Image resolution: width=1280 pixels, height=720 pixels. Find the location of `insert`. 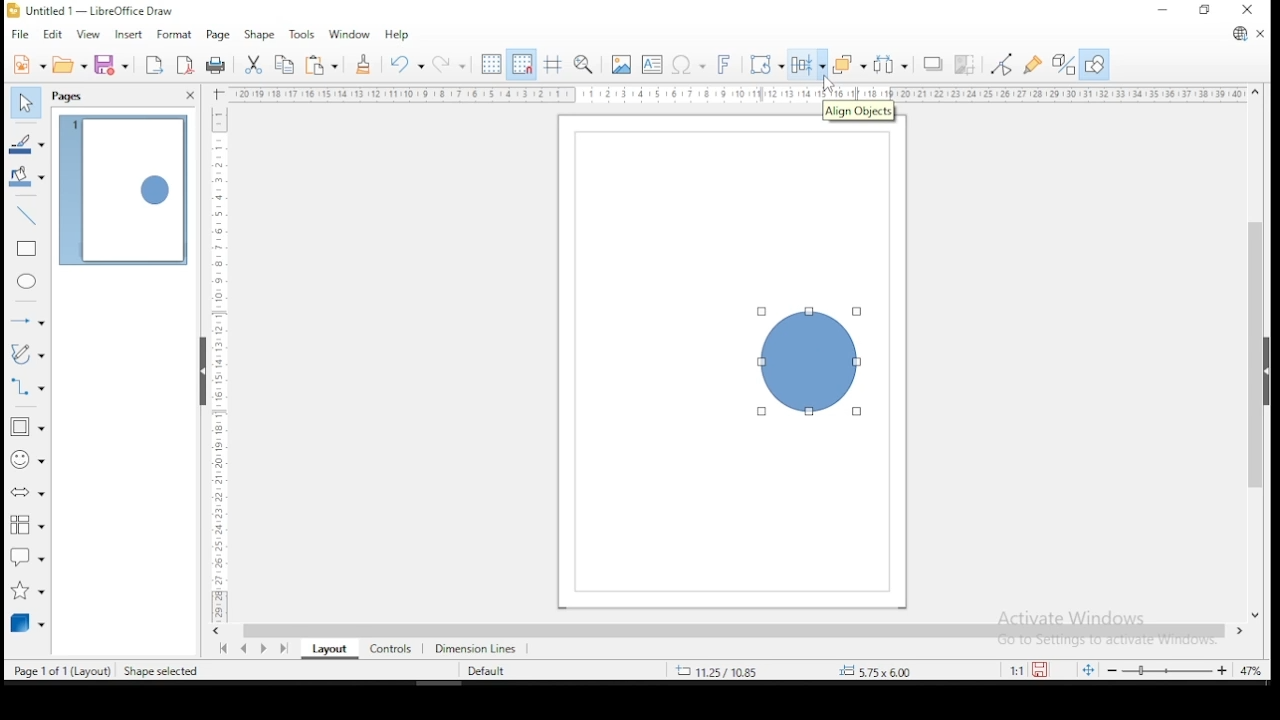

insert is located at coordinates (126, 35).